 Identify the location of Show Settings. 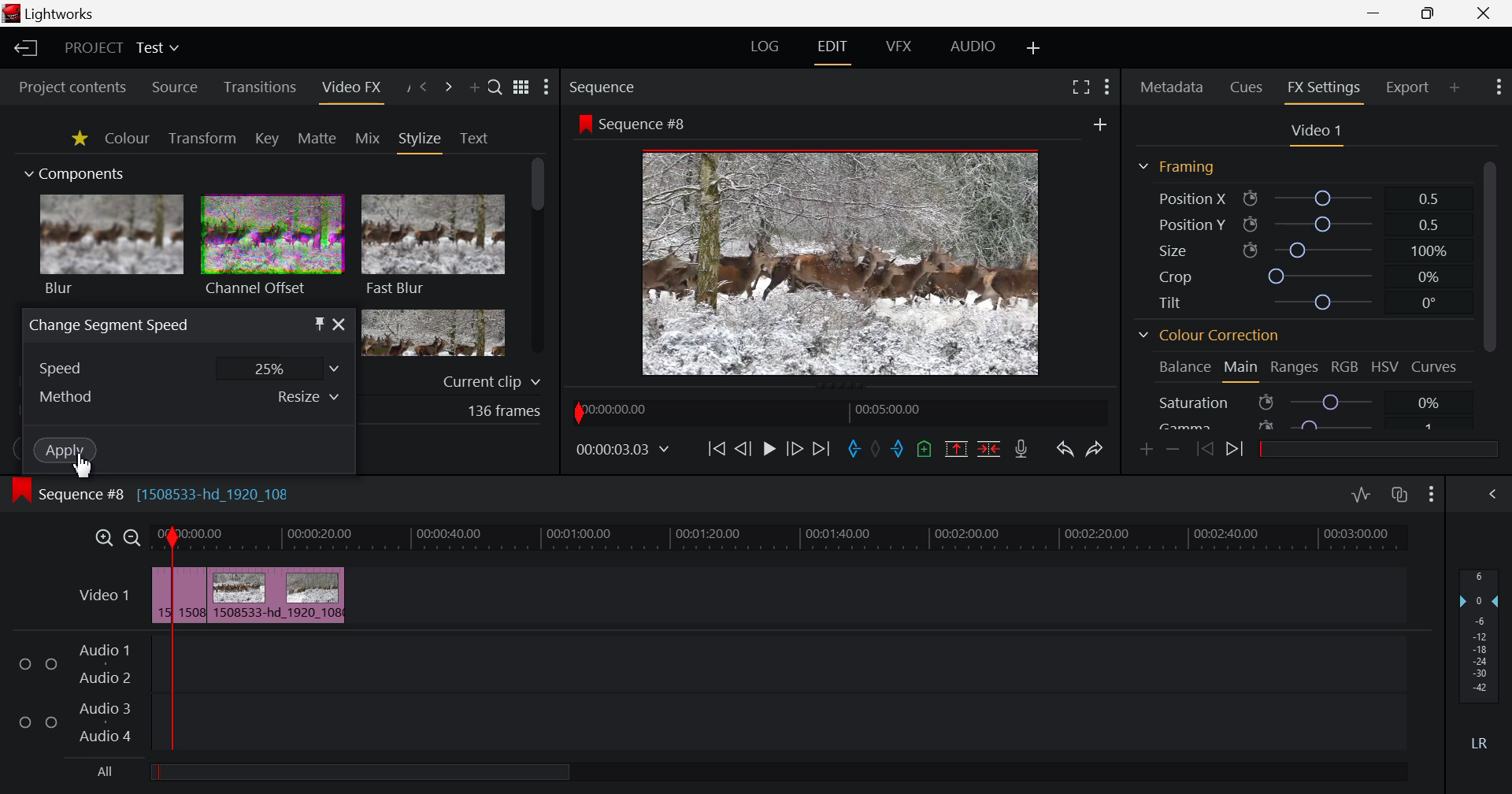
(547, 87).